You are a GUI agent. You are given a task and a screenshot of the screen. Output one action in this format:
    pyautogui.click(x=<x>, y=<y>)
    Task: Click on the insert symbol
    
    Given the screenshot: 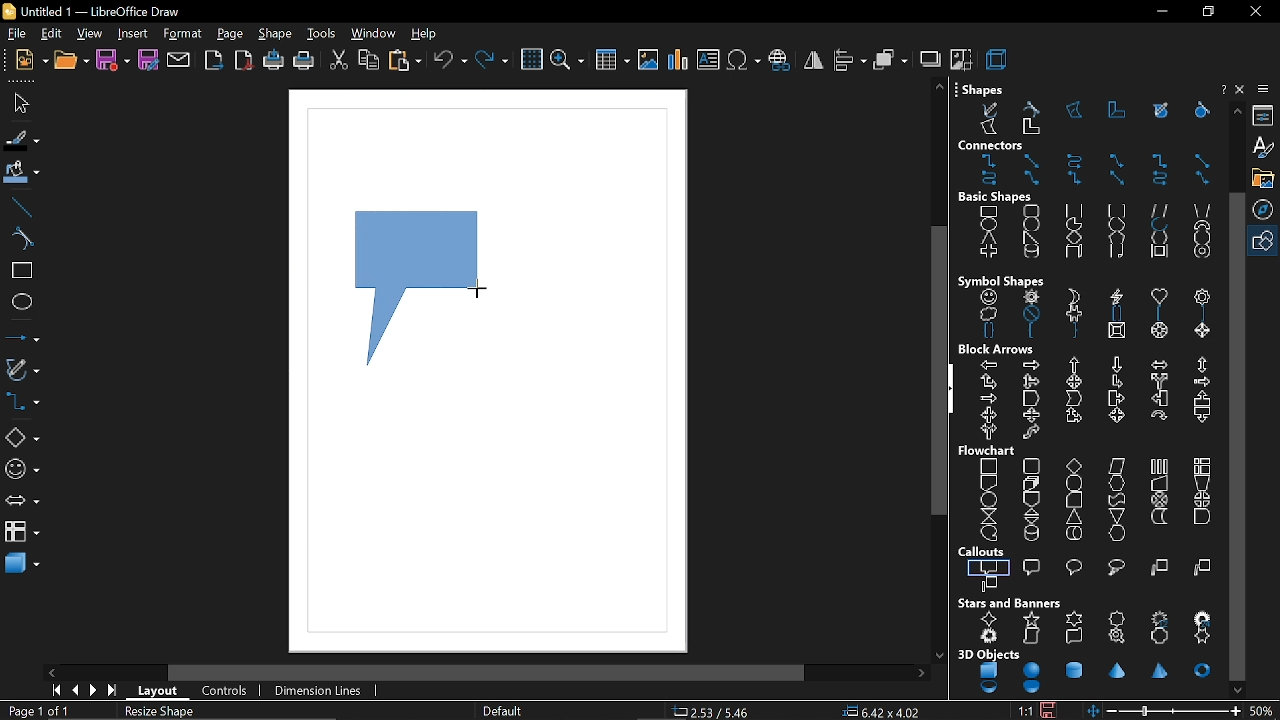 What is the action you would take?
    pyautogui.click(x=744, y=61)
    